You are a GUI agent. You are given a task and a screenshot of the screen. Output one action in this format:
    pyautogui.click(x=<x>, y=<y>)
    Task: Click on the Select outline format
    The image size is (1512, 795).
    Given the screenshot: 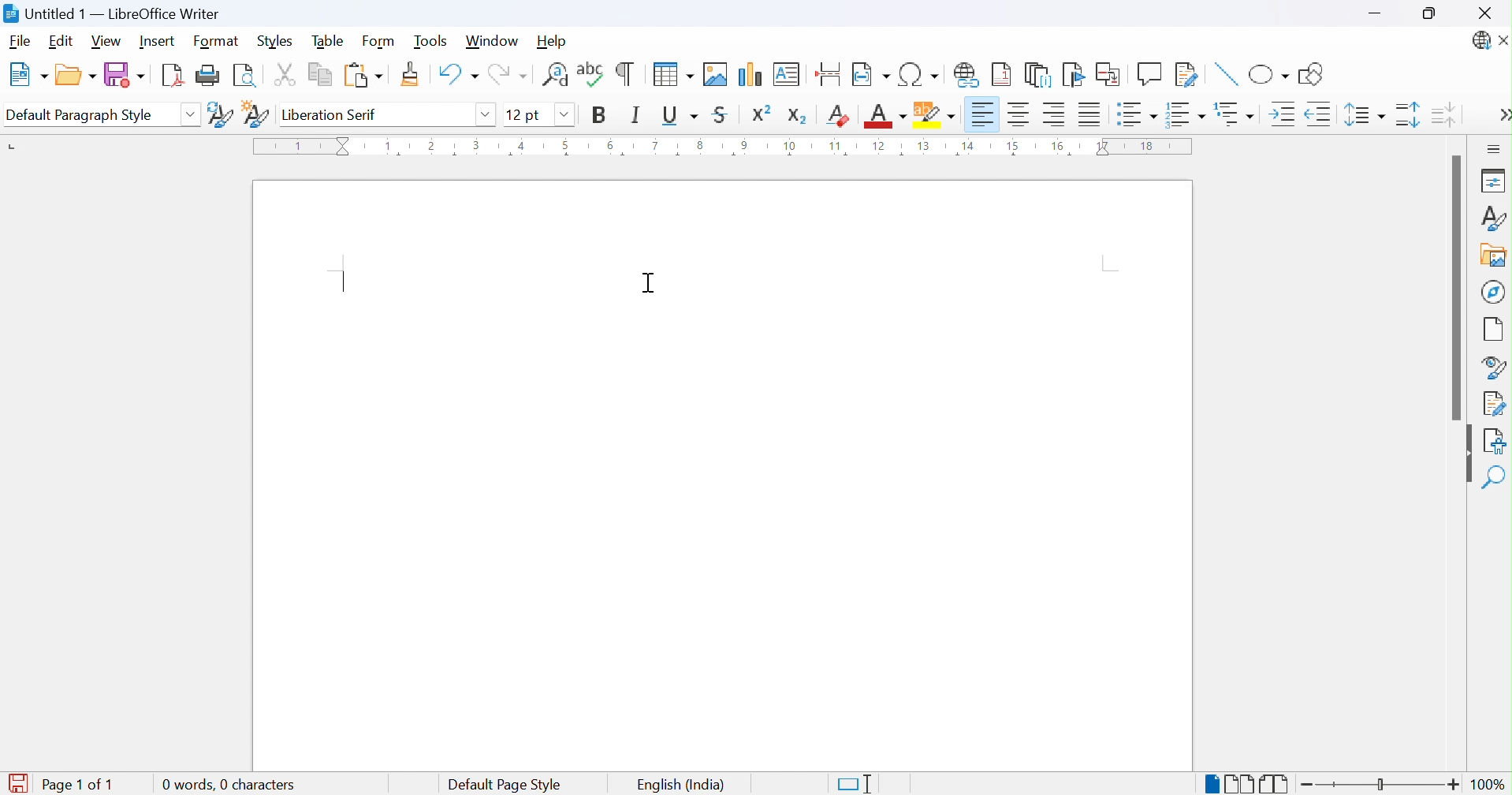 What is the action you would take?
    pyautogui.click(x=1234, y=112)
    